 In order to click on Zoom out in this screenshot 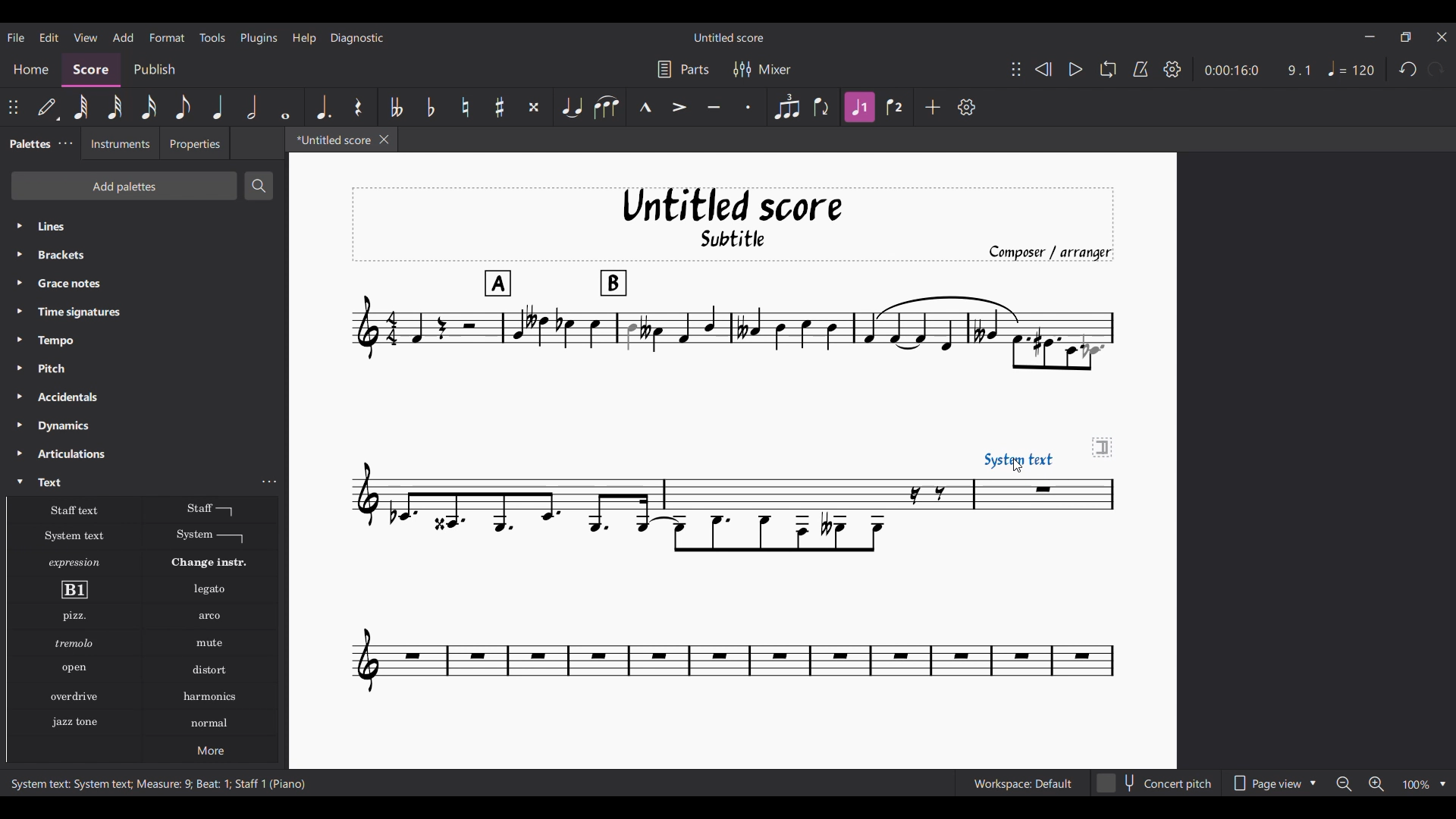, I will do `click(1345, 783)`.